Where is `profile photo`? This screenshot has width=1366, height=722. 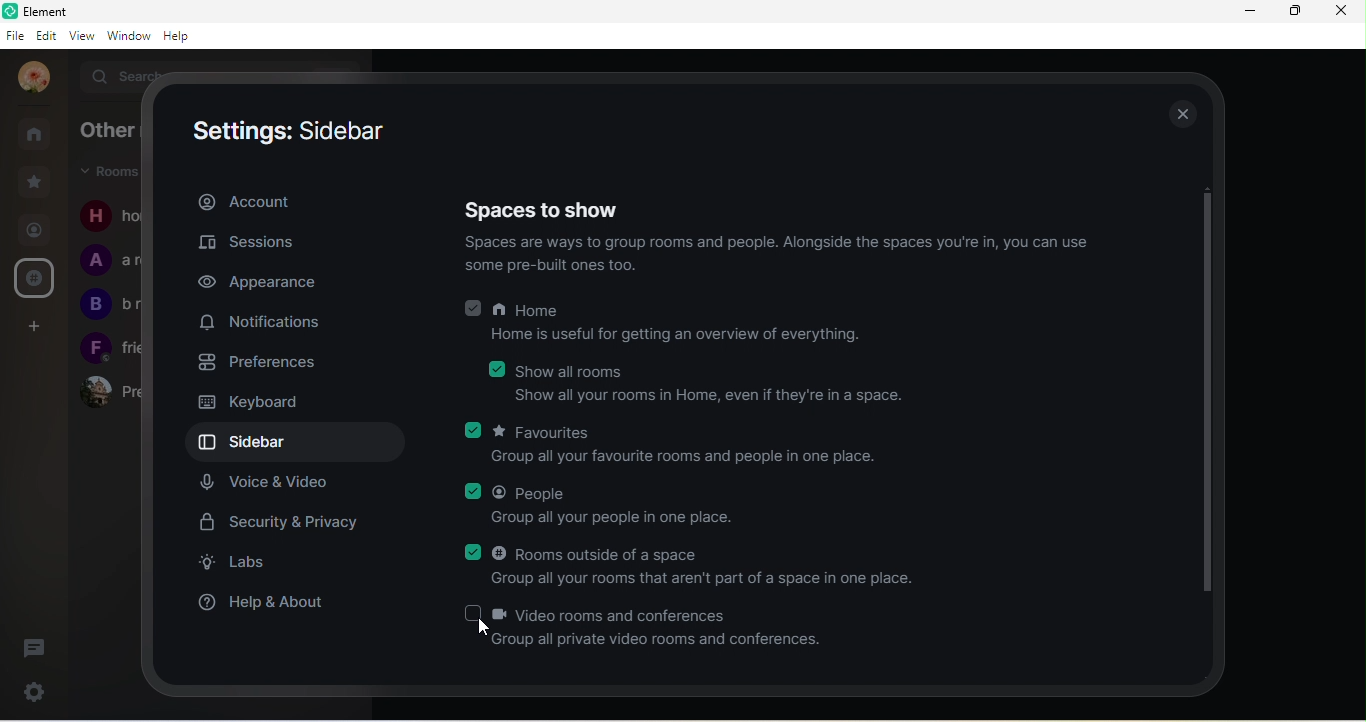 profile photo is located at coordinates (31, 78).